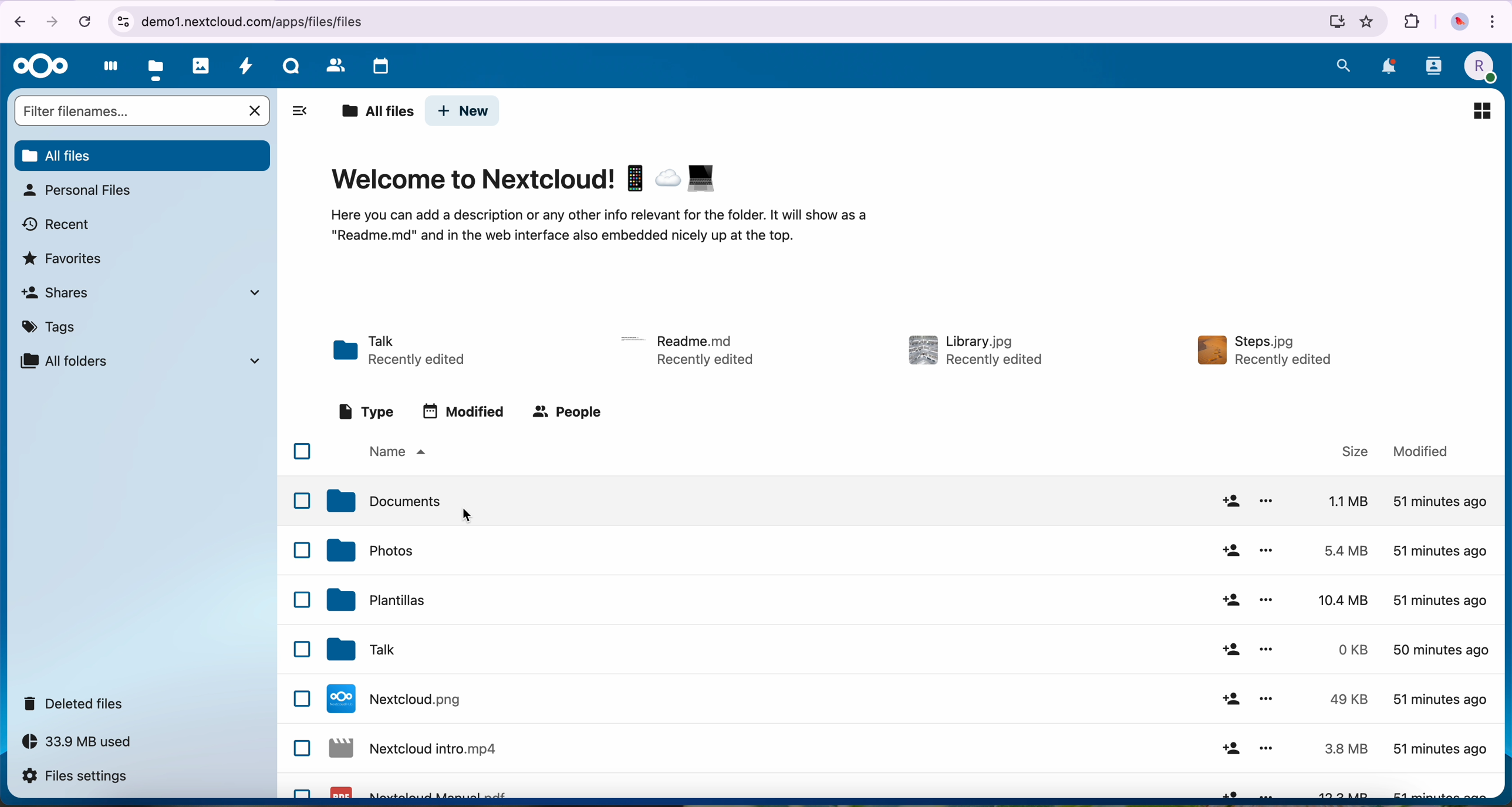 The width and height of the screenshot is (1512, 807). What do you see at coordinates (466, 411) in the screenshot?
I see `modified` at bounding box center [466, 411].